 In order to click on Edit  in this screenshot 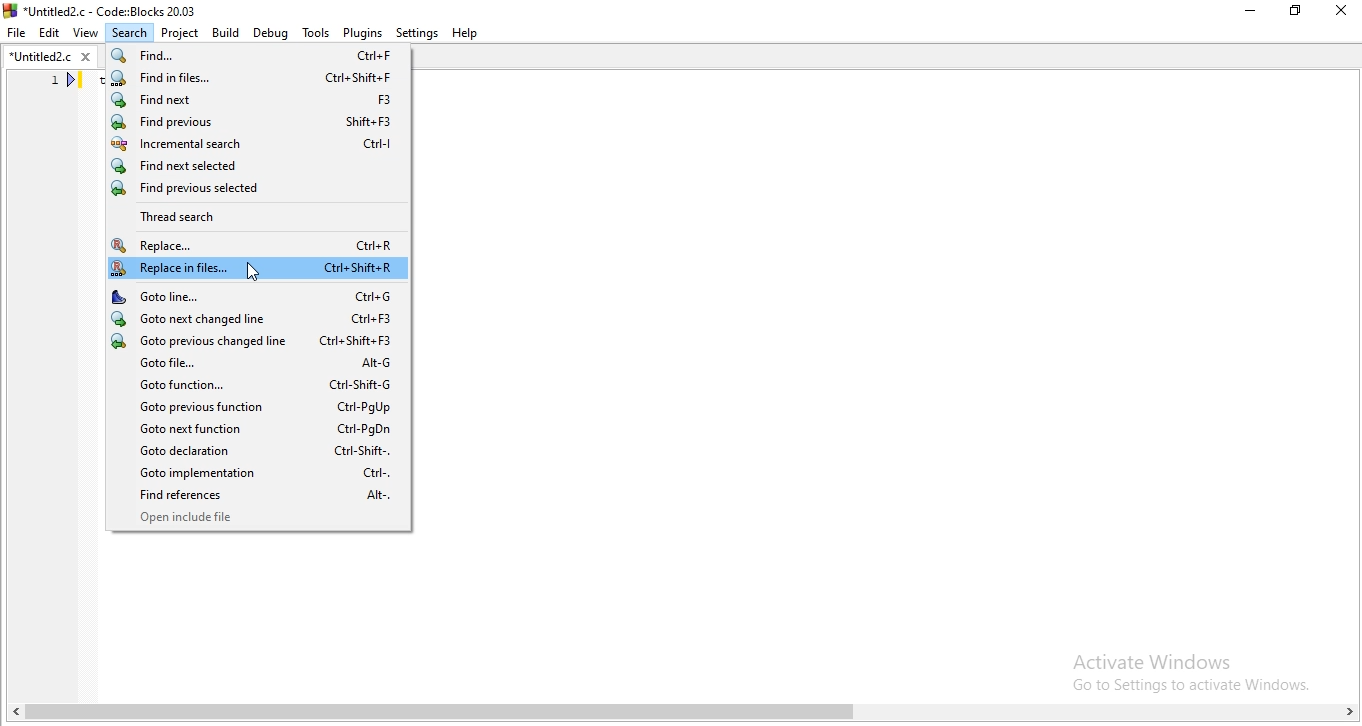, I will do `click(49, 33)`.